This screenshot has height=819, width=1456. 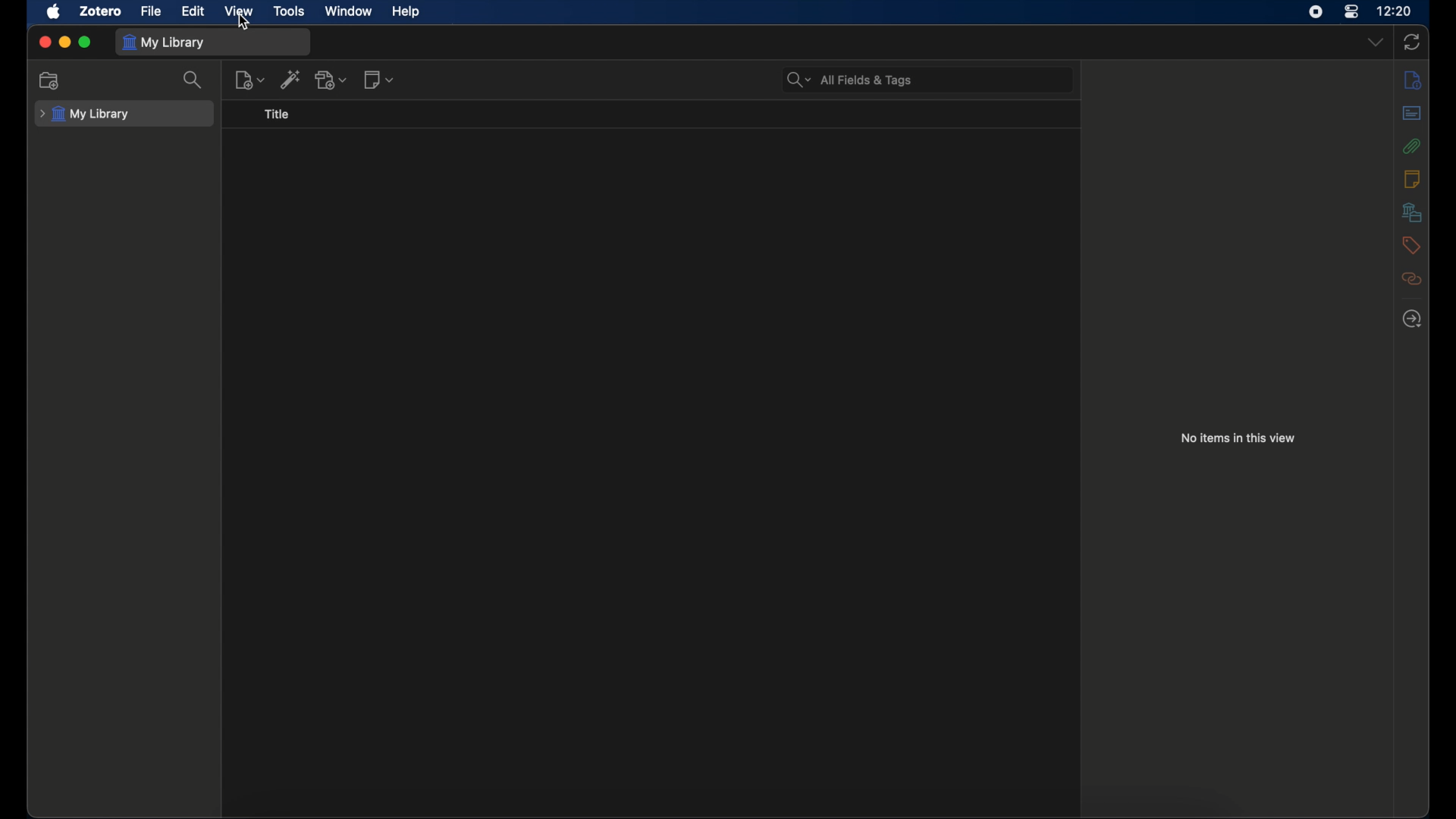 I want to click on my library, so click(x=165, y=43).